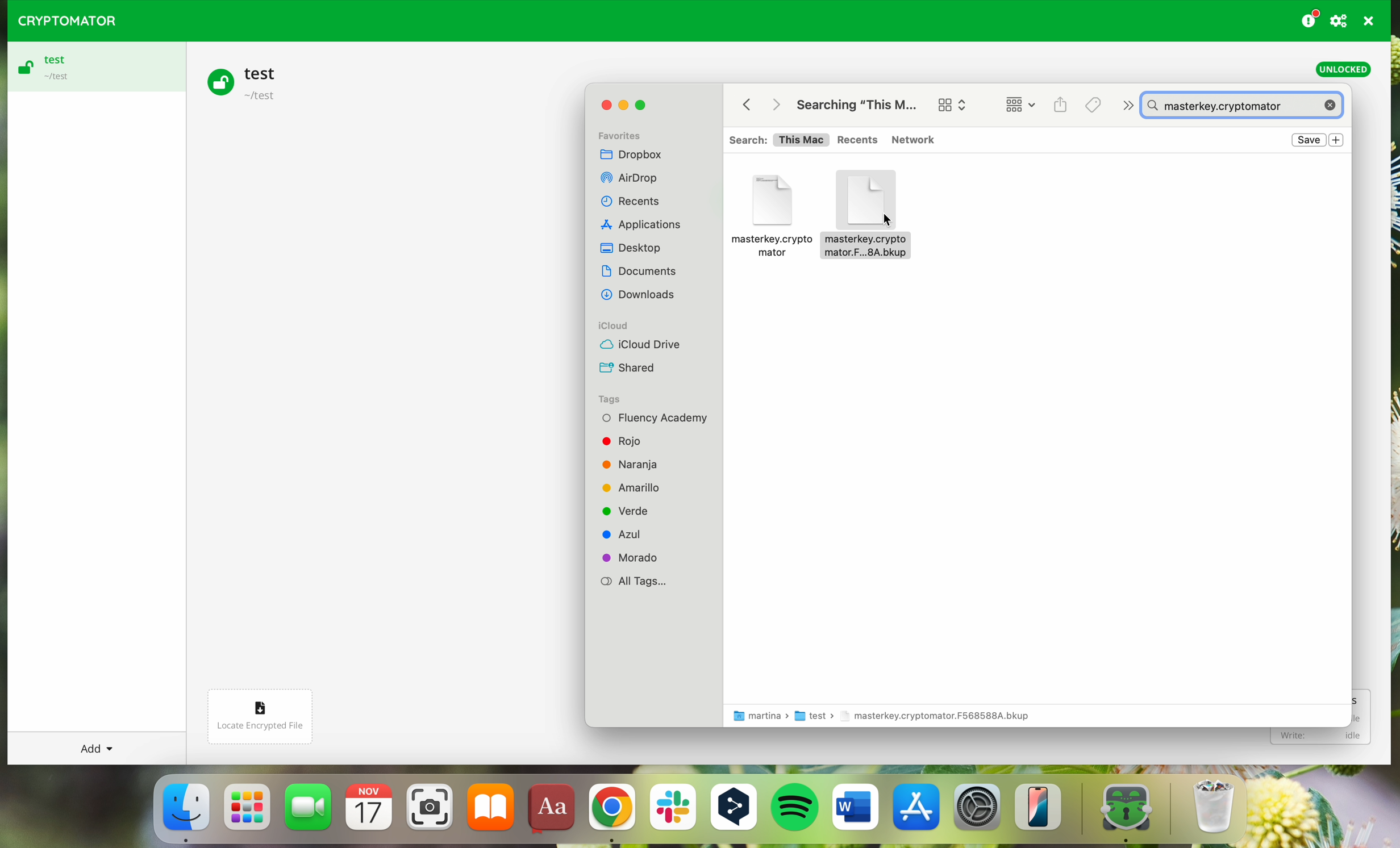 This screenshot has width=1400, height=848. Describe the element at coordinates (797, 809) in the screenshot. I see `Spotify` at that location.